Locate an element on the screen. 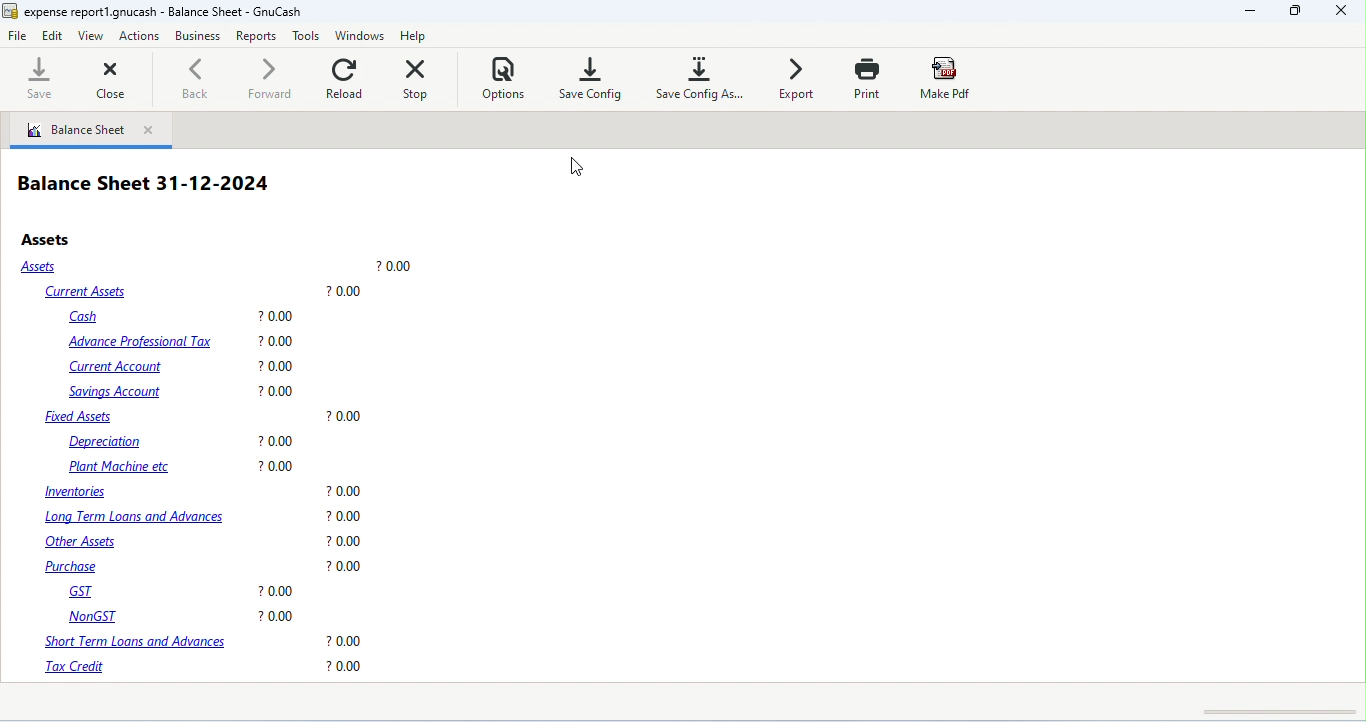  make pdf is located at coordinates (948, 76).